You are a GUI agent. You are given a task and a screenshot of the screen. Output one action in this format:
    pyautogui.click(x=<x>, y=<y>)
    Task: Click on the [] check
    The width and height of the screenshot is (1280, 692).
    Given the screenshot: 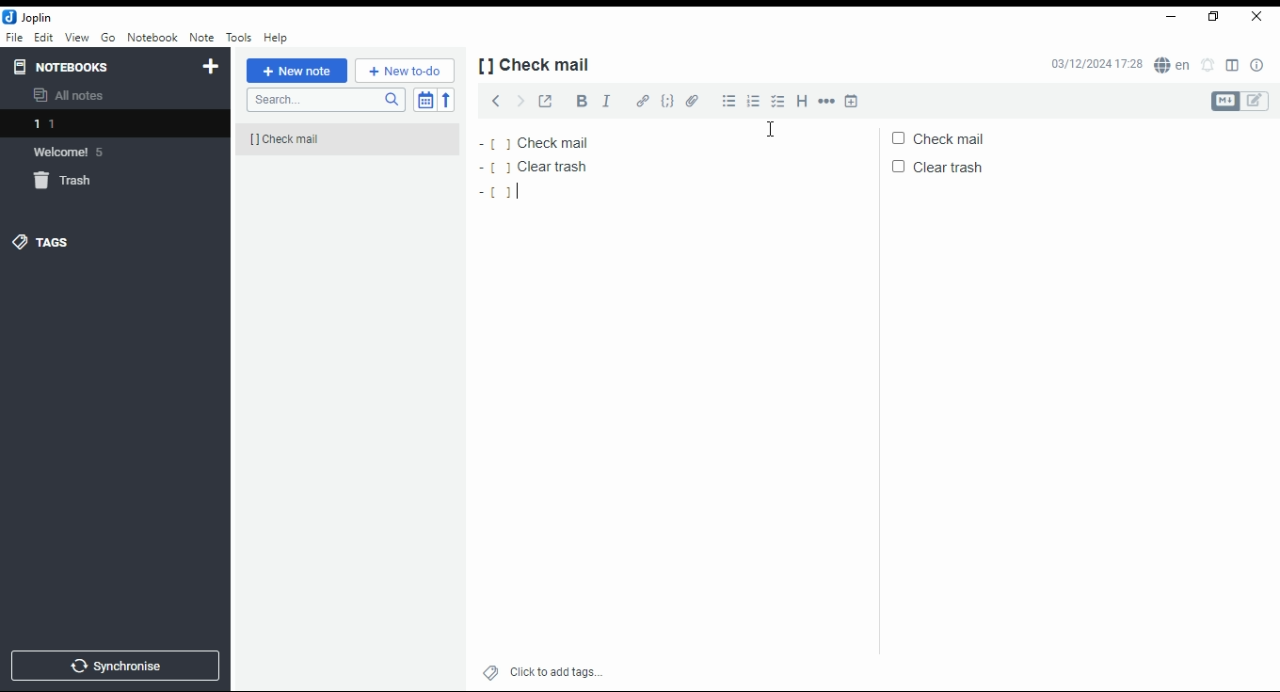 What is the action you would take?
    pyautogui.click(x=332, y=139)
    